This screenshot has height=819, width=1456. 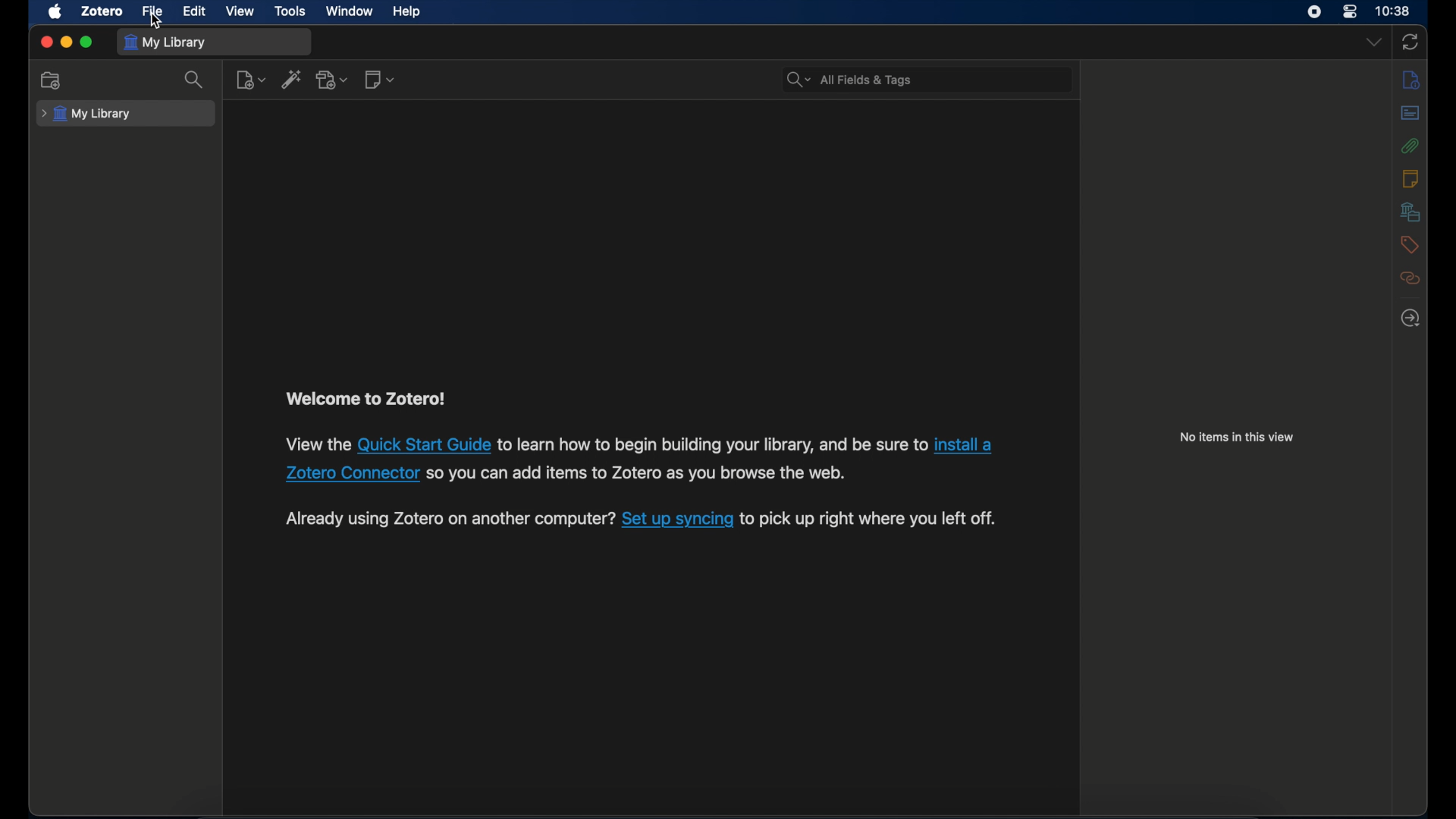 What do you see at coordinates (1410, 179) in the screenshot?
I see `notes` at bounding box center [1410, 179].